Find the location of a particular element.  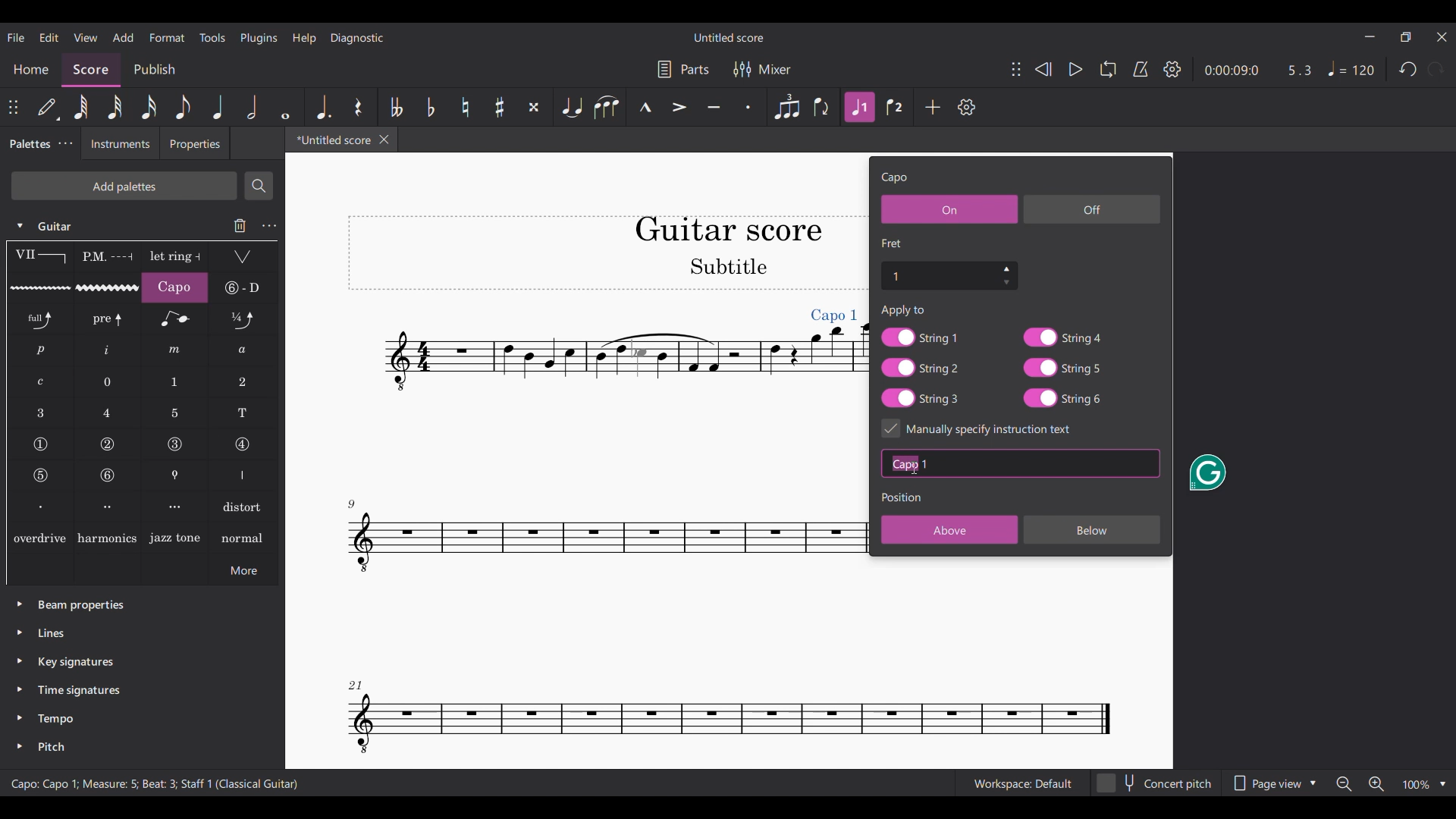

Let ring is located at coordinates (175, 257).